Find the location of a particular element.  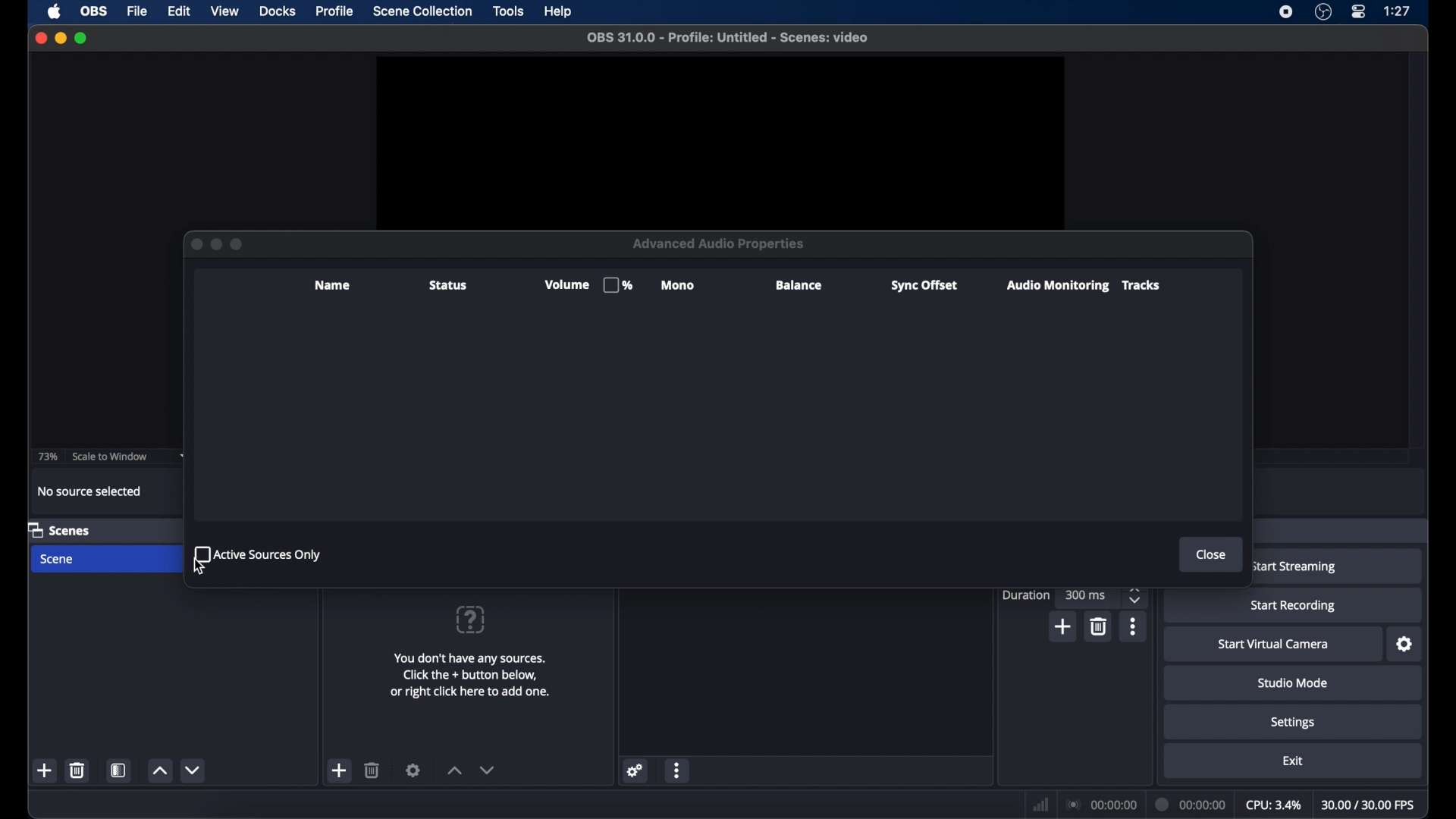

connection is located at coordinates (1103, 805).